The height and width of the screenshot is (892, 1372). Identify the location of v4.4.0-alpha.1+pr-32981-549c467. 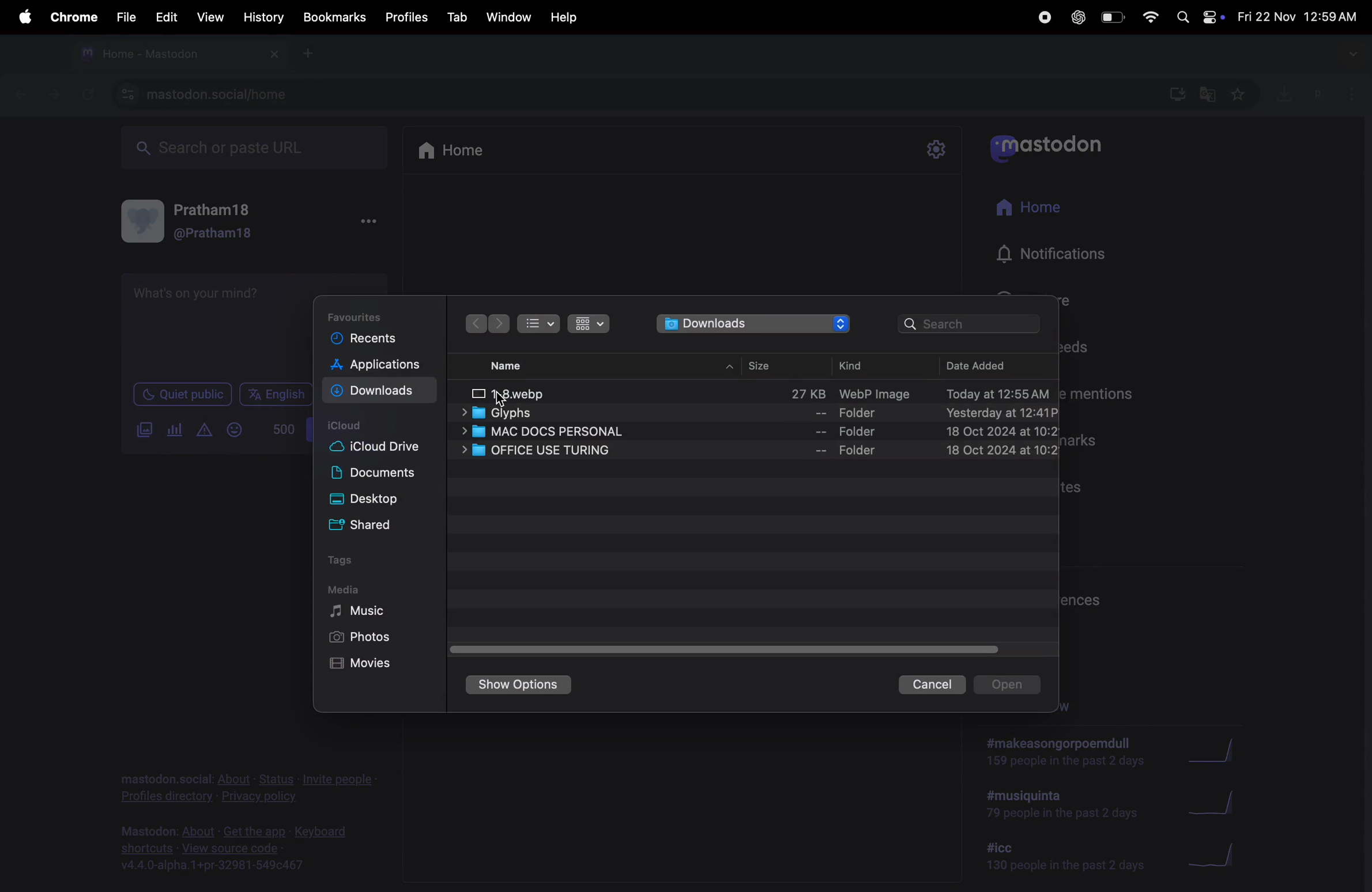
(212, 866).